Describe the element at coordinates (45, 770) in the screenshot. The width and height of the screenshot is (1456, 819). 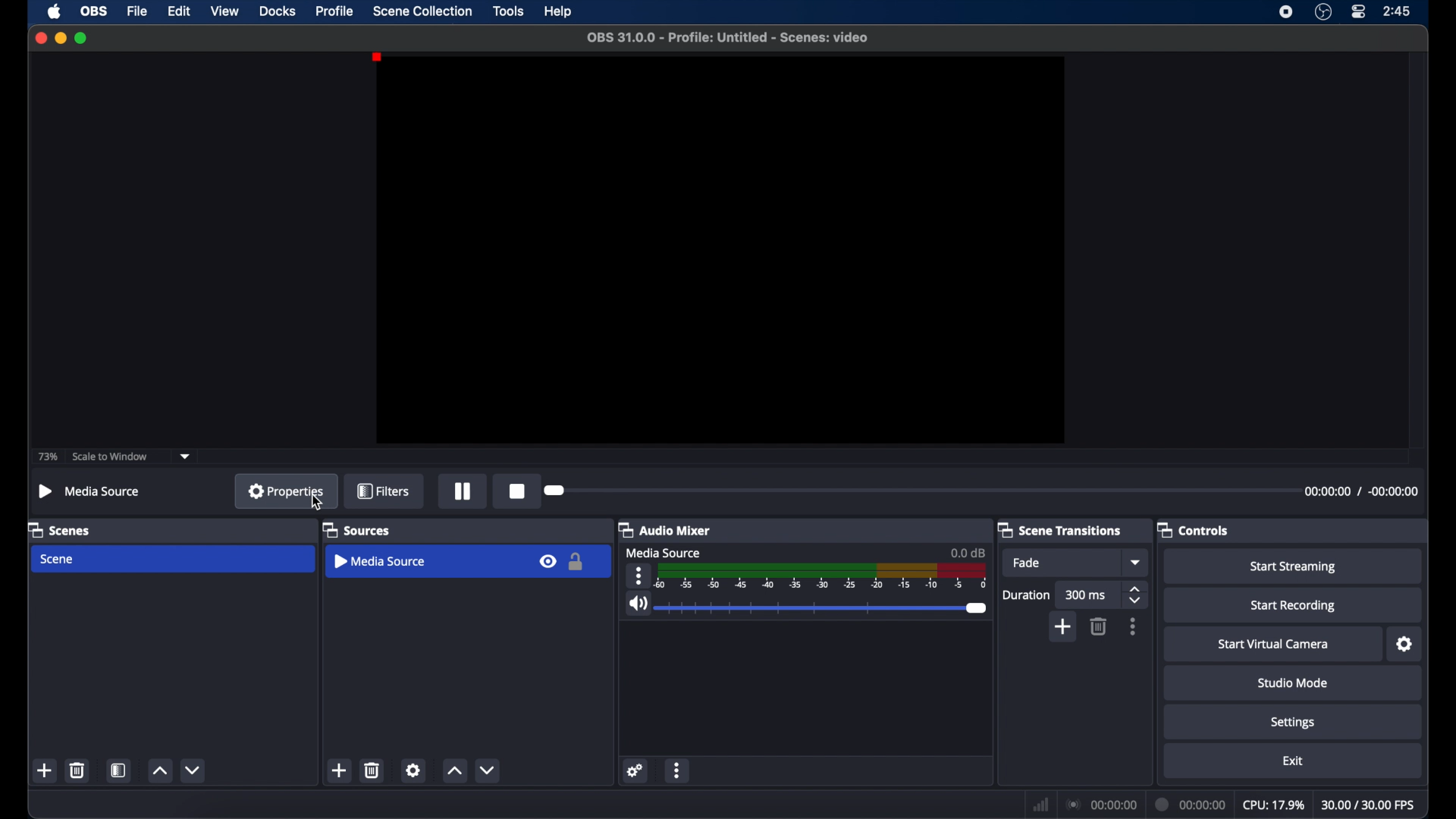
I see `add` at that location.